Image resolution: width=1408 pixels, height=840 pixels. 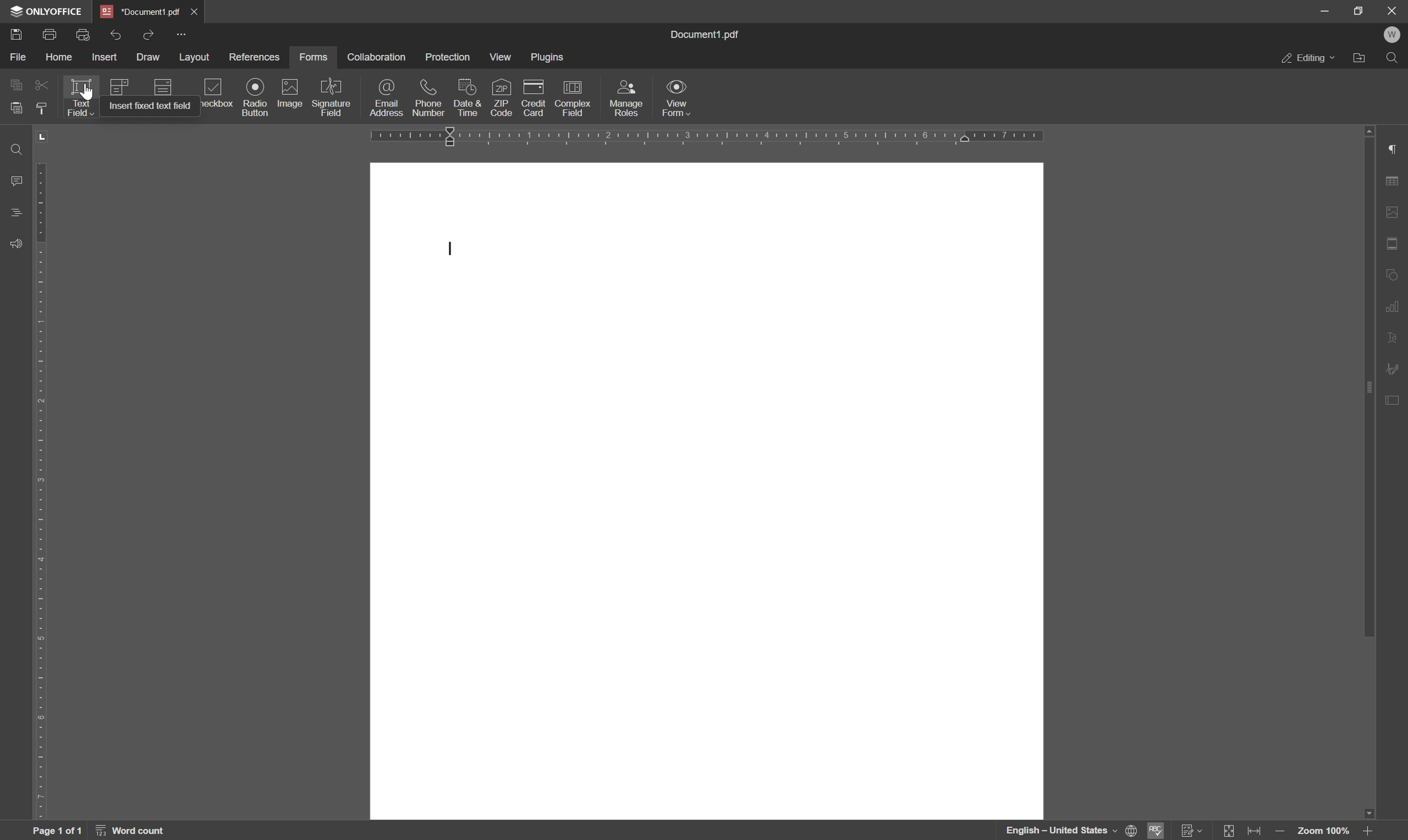 What do you see at coordinates (1283, 832) in the screenshot?
I see `zoom in` at bounding box center [1283, 832].